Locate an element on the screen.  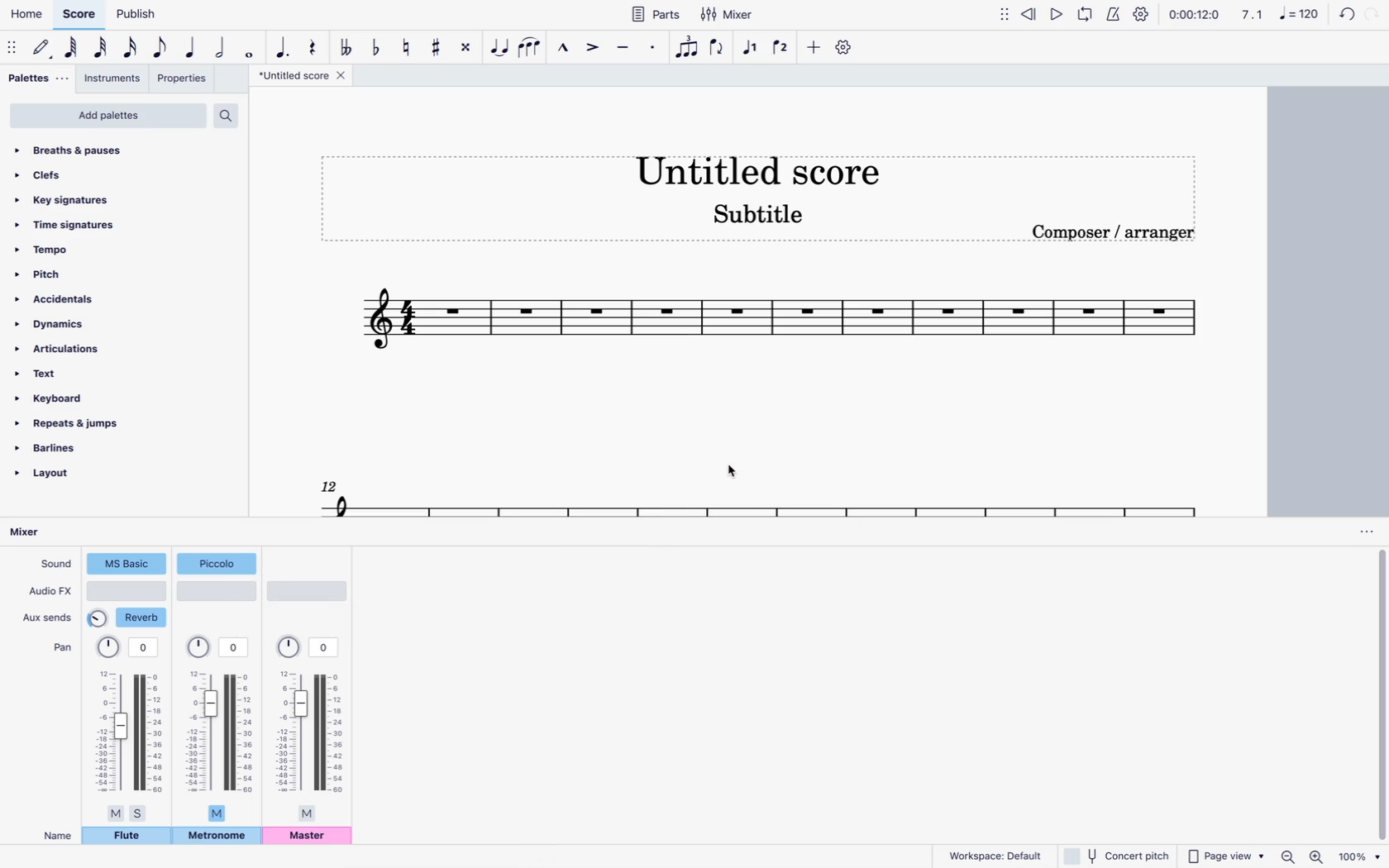
score is located at coordinates (80, 15).